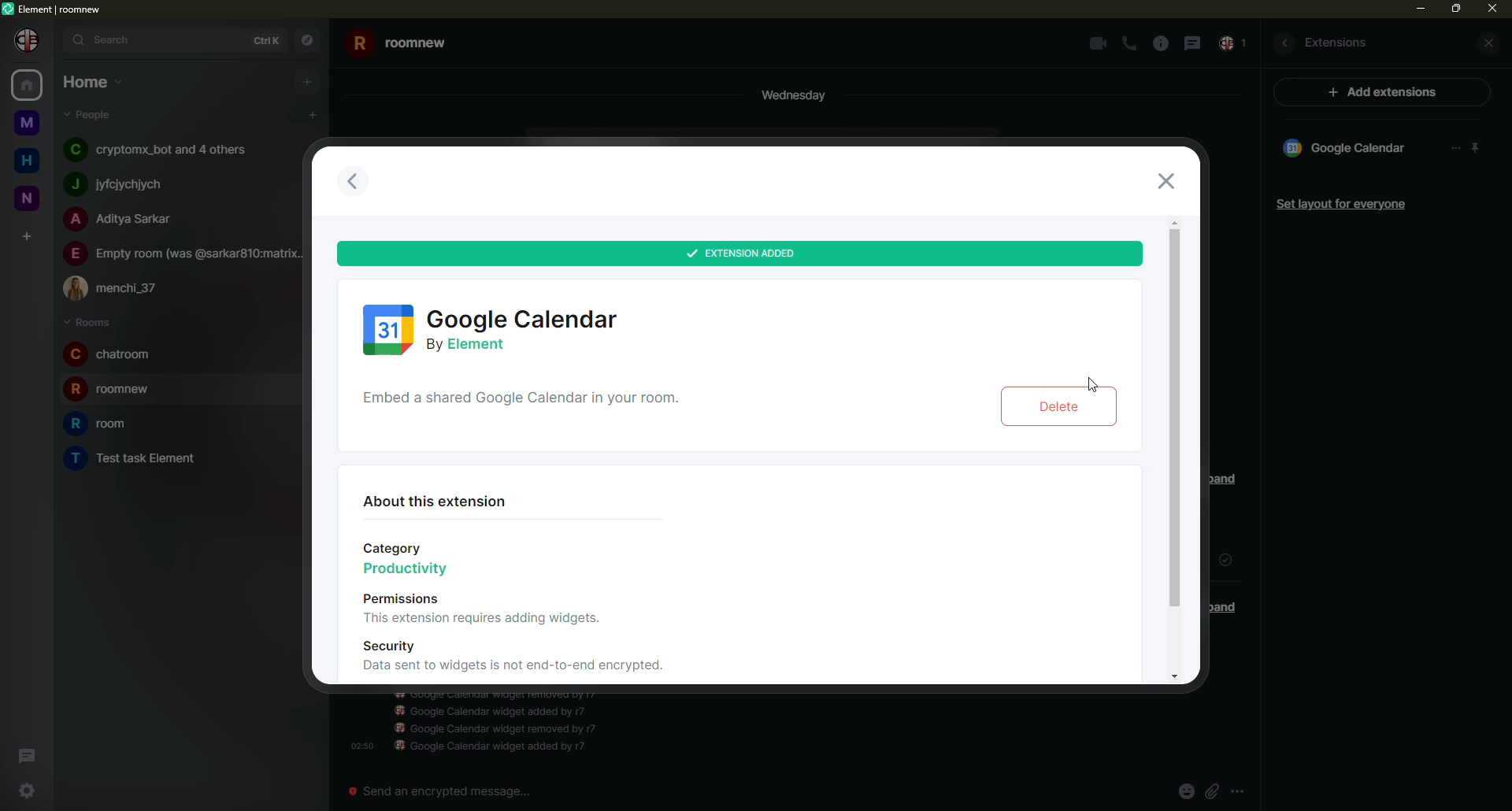 This screenshot has width=1512, height=811. What do you see at coordinates (115, 185) in the screenshot?
I see `people` at bounding box center [115, 185].